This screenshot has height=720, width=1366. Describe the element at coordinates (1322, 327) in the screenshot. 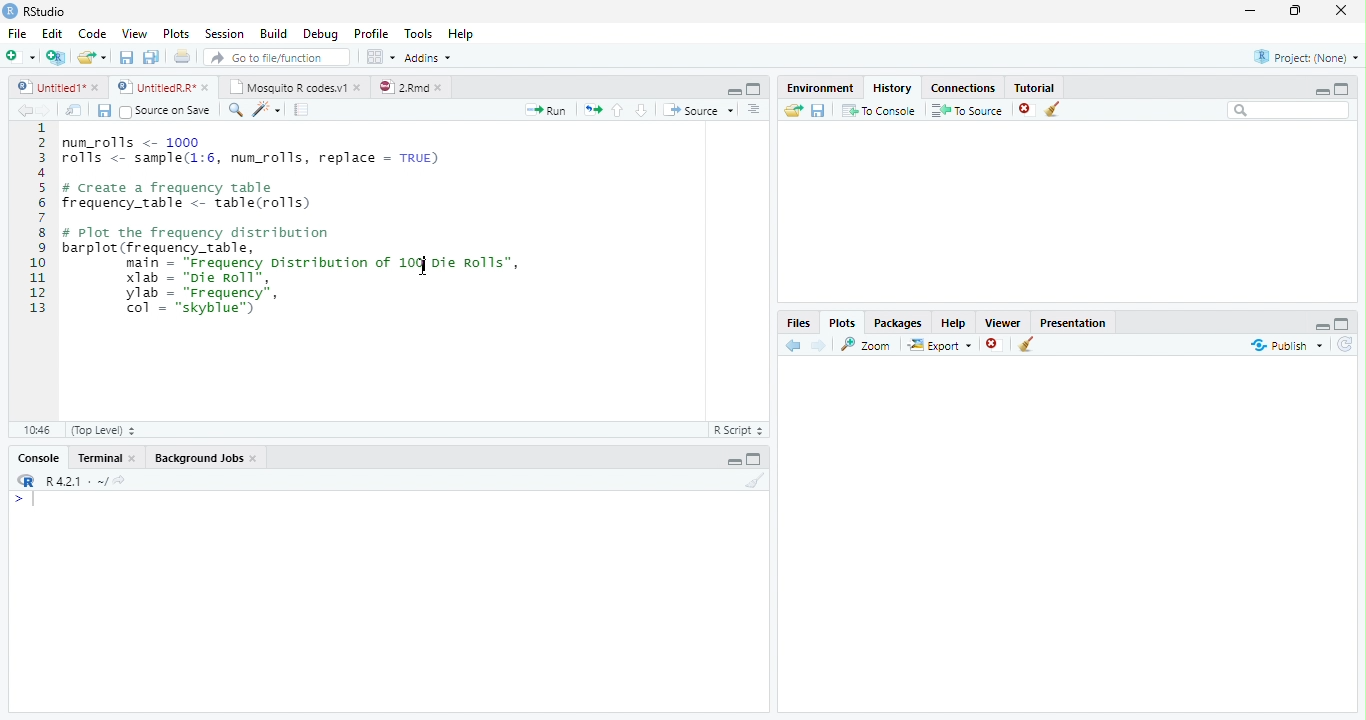

I see `Hide` at that location.